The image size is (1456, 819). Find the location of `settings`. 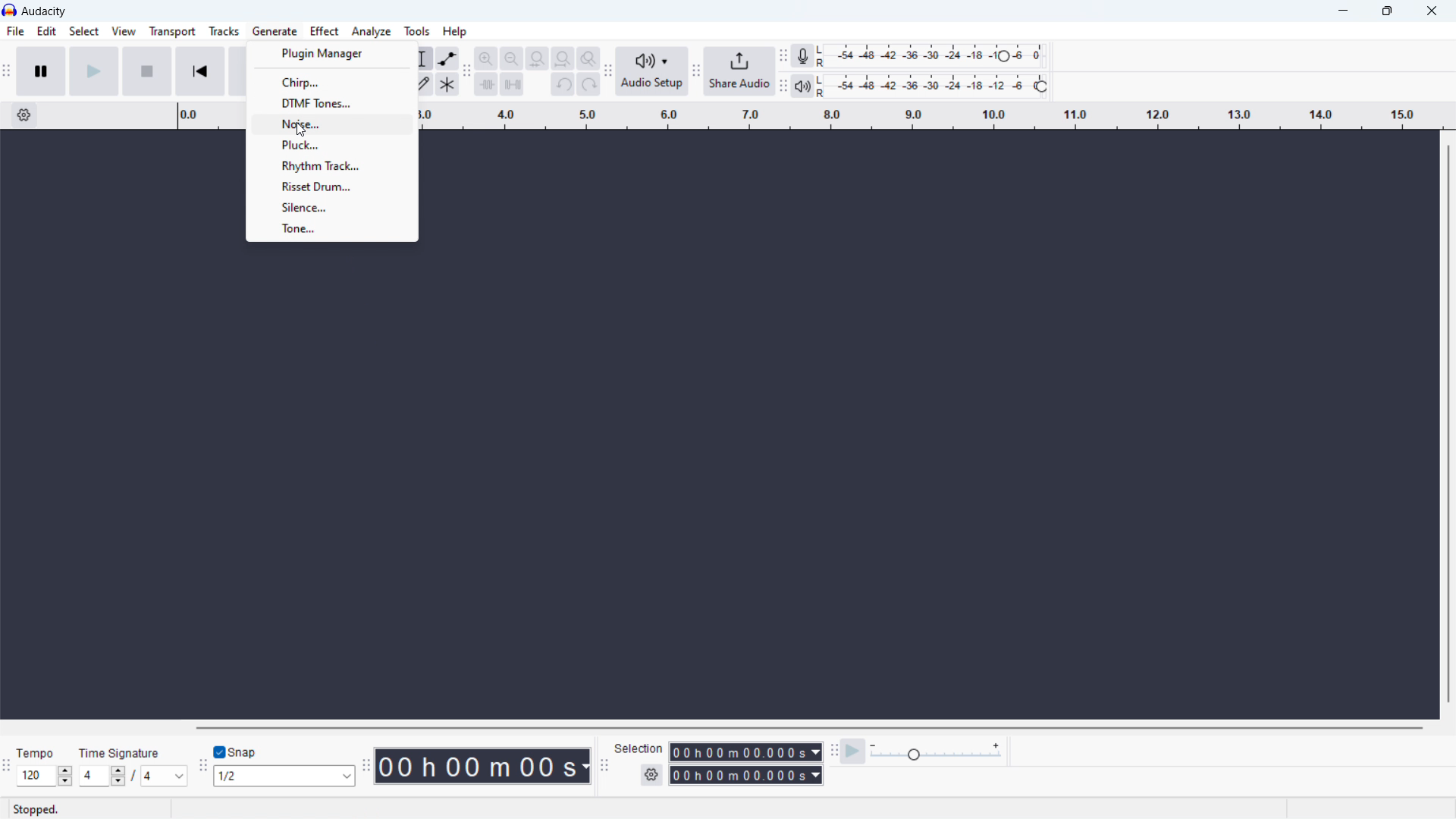

settings is located at coordinates (19, 116).